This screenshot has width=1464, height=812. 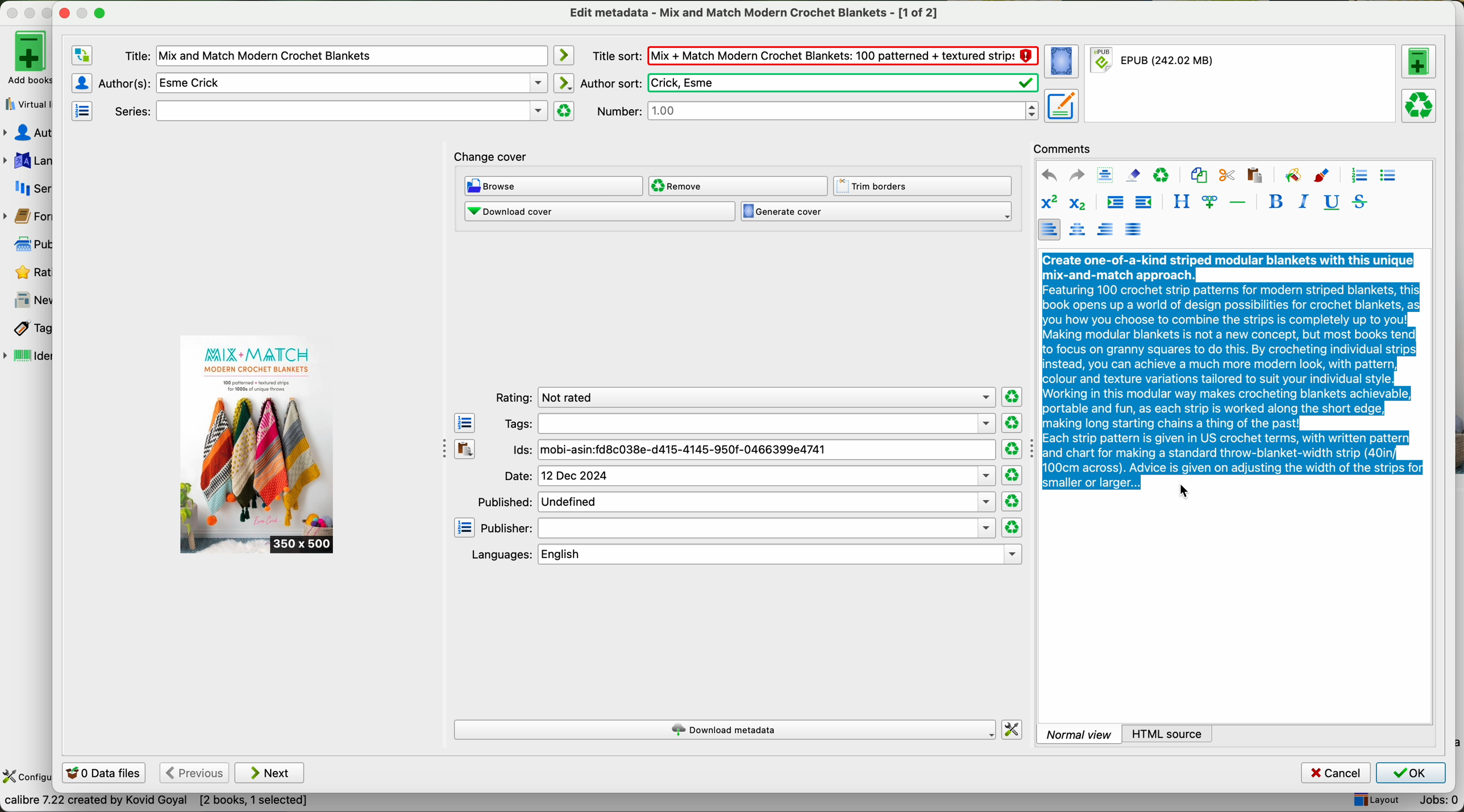 I want to click on Jobs: 0, so click(x=1434, y=802).